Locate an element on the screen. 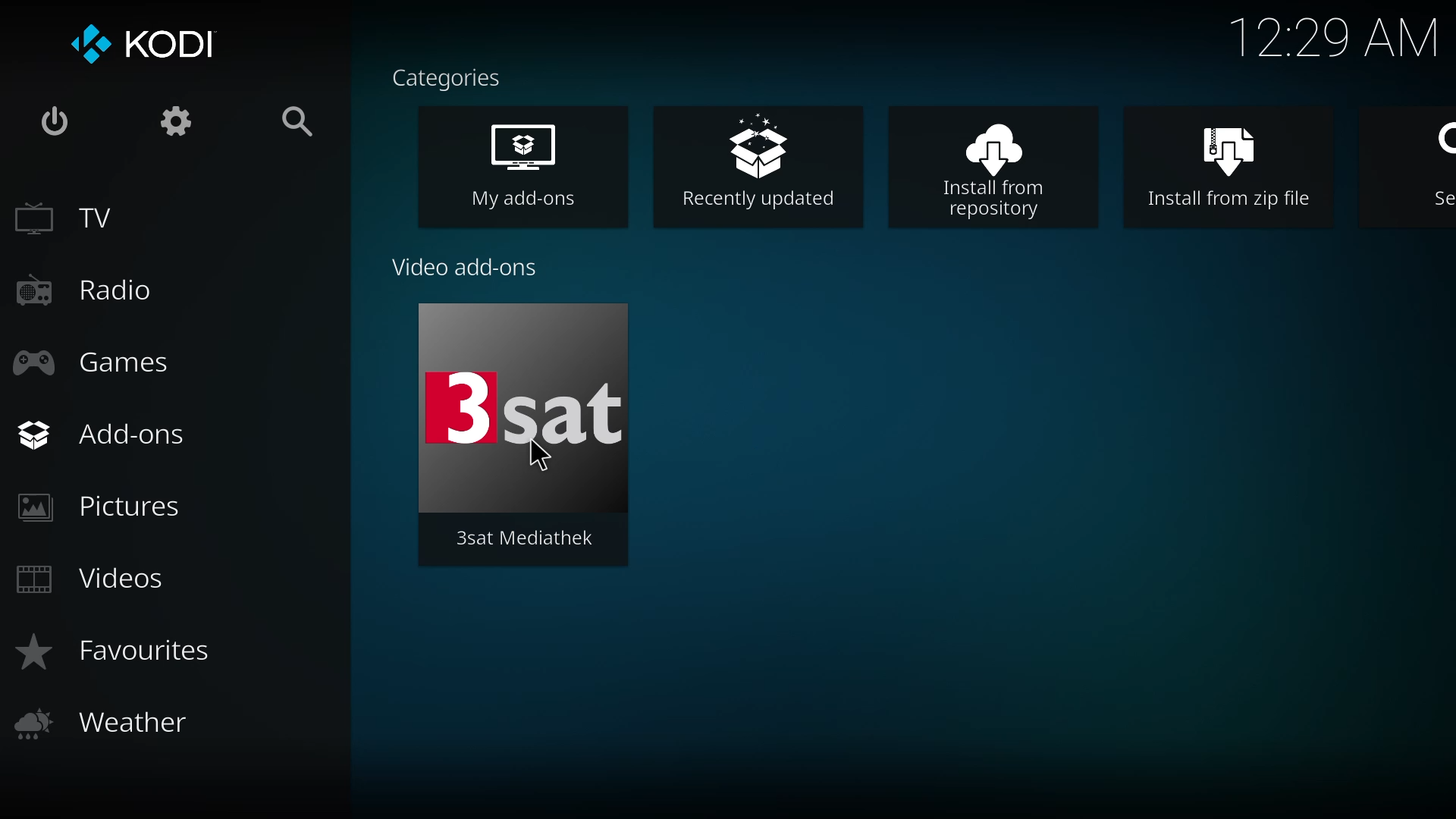 Image resolution: width=1456 pixels, height=819 pixels. power is located at coordinates (57, 124).